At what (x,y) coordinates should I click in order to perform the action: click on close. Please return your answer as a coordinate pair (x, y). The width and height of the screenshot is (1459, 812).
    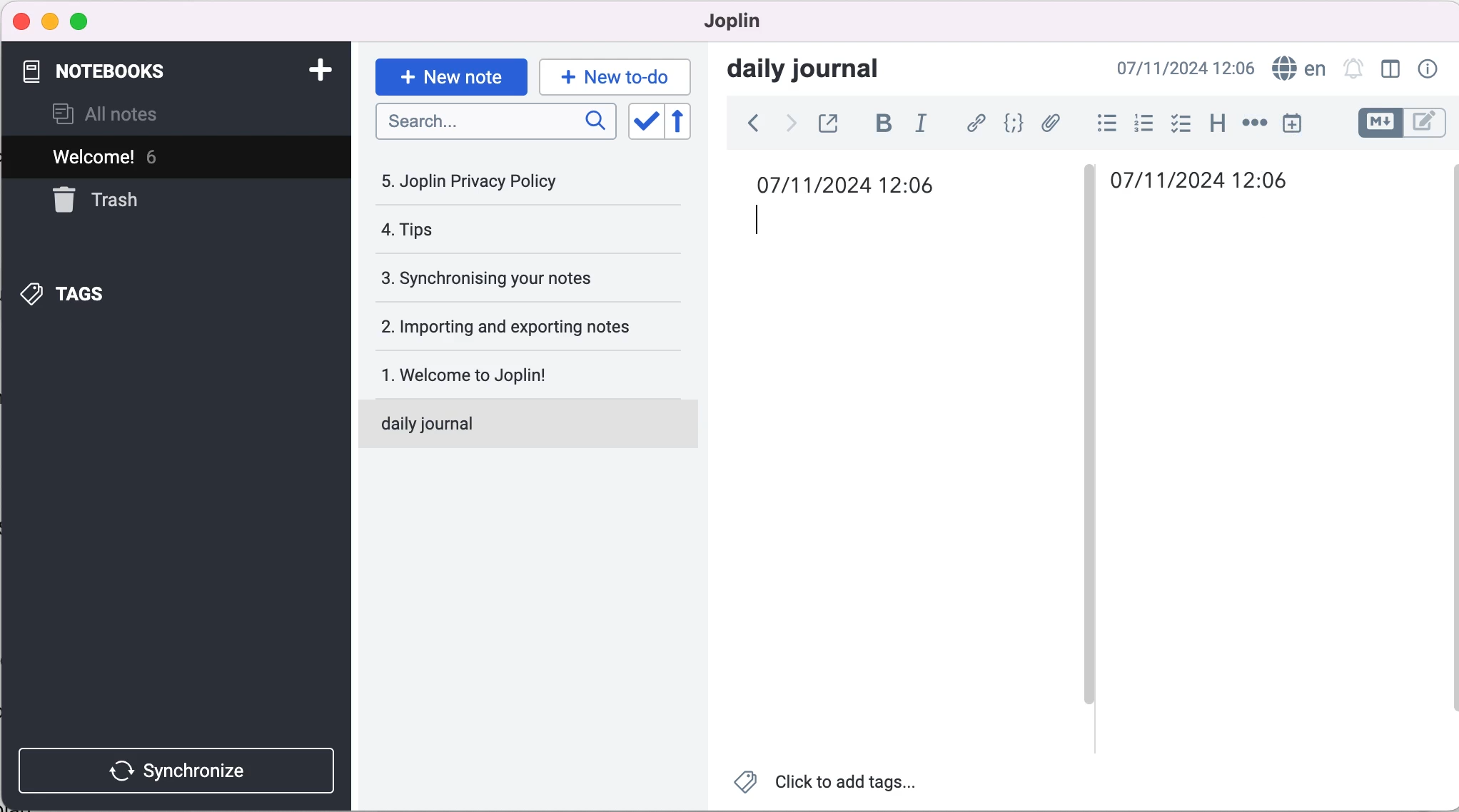
    Looking at the image, I should click on (19, 22).